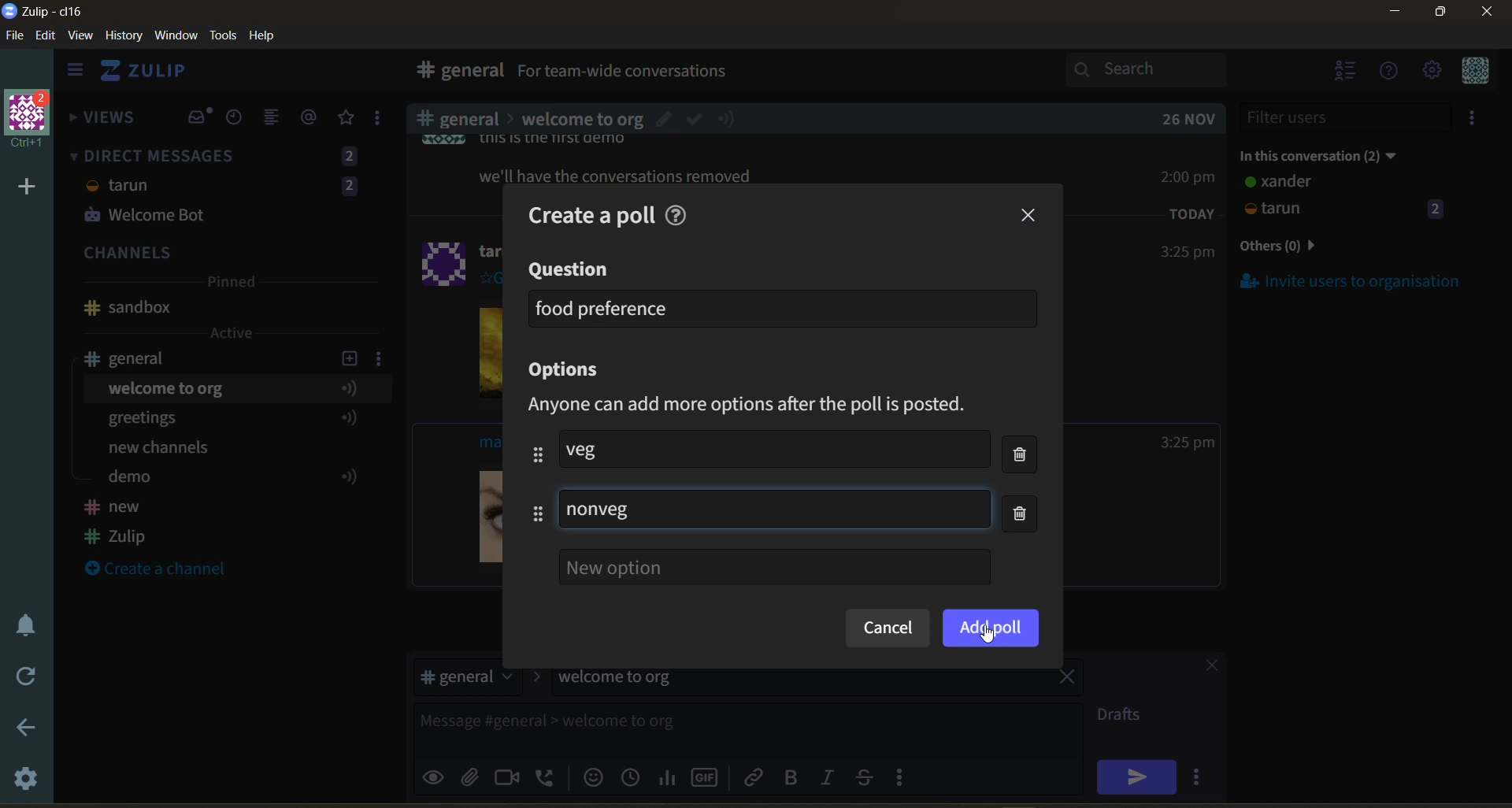 This screenshot has height=808, width=1512. Describe the element at coordinates (312, 117) in the screenshot. I see `mentions` at that location.